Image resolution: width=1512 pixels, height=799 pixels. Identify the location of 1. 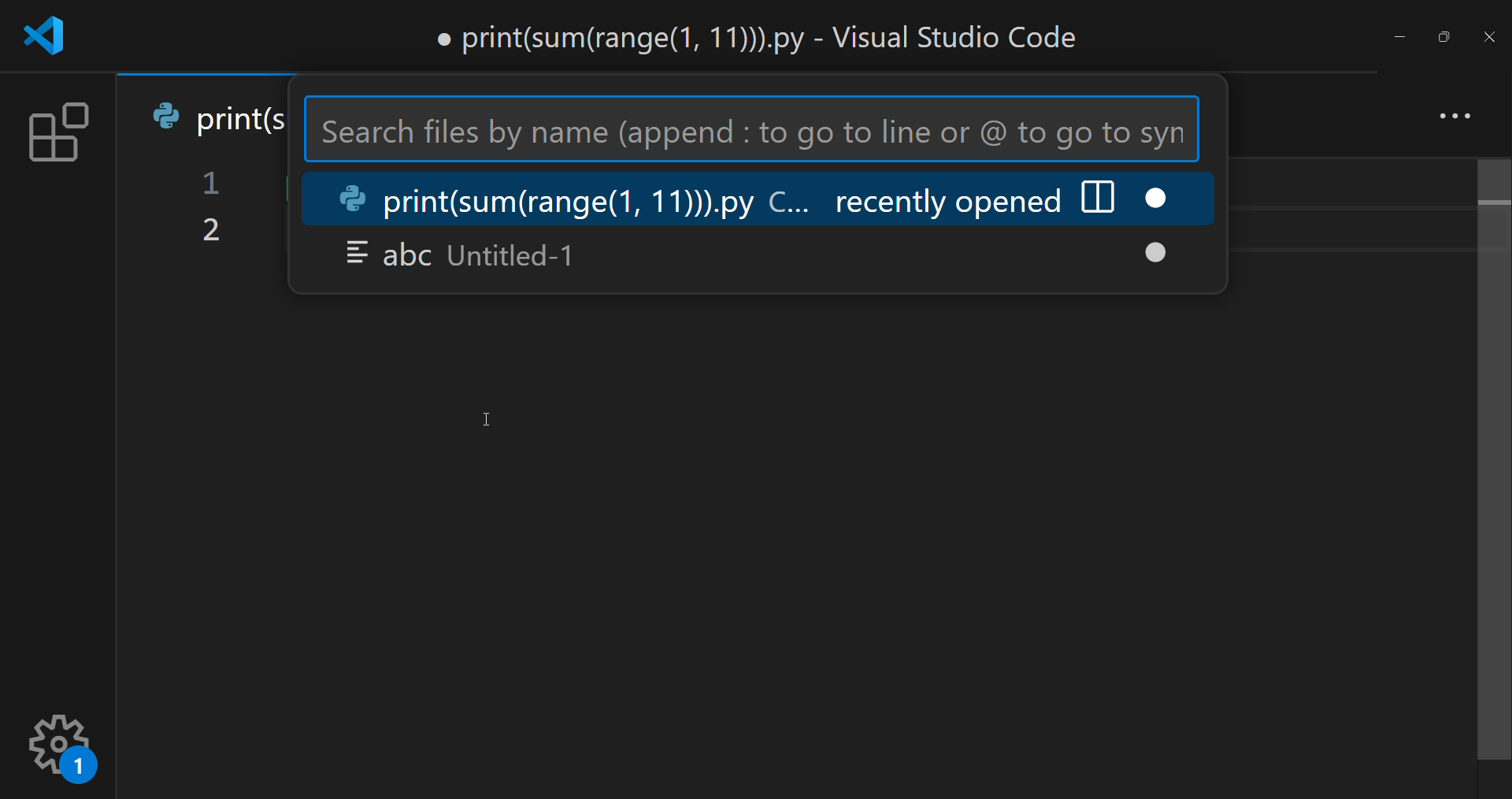
(213, 185).